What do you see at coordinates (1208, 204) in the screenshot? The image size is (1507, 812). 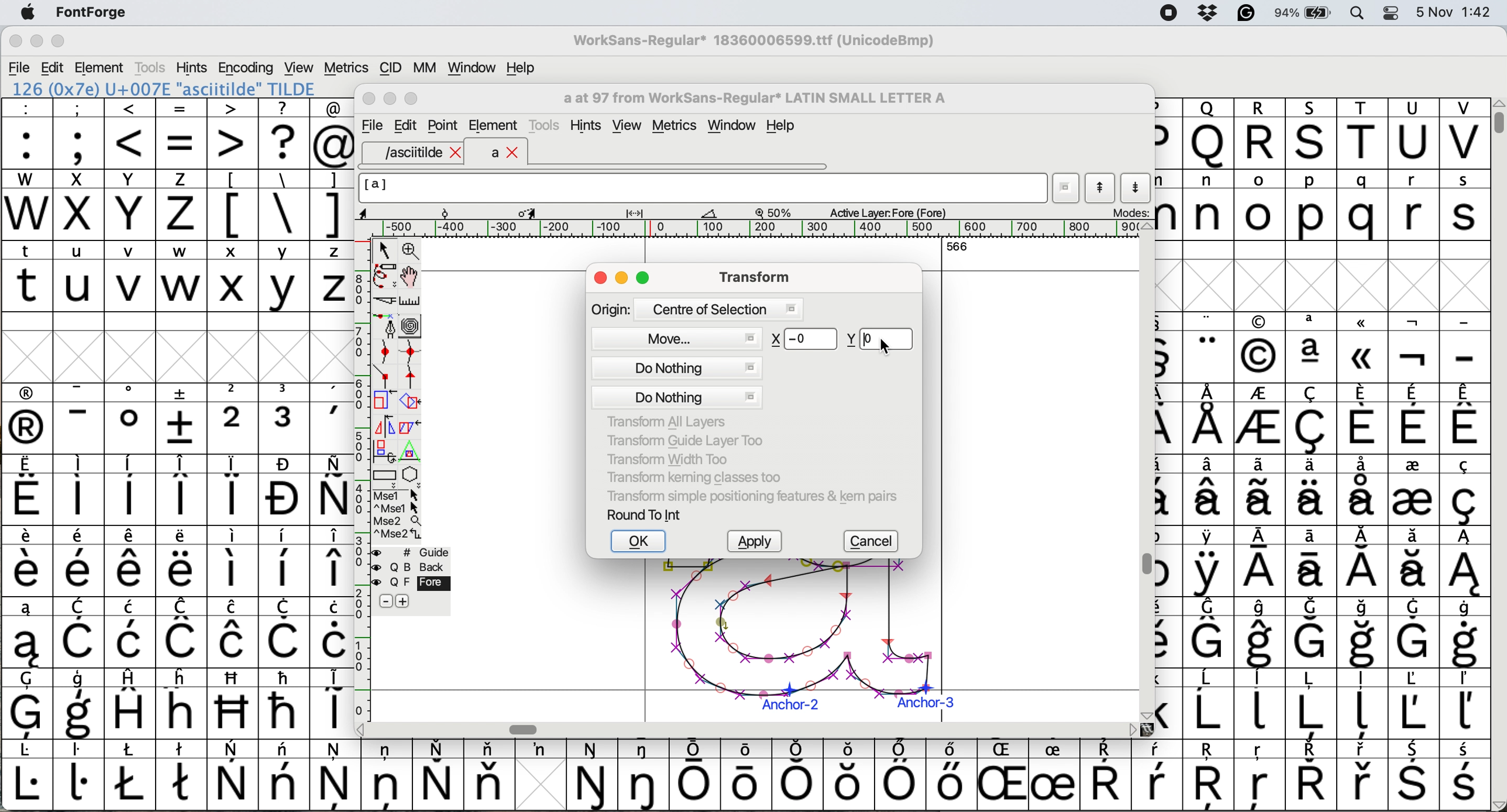 I see `n` at bounding box center [1208, 204].